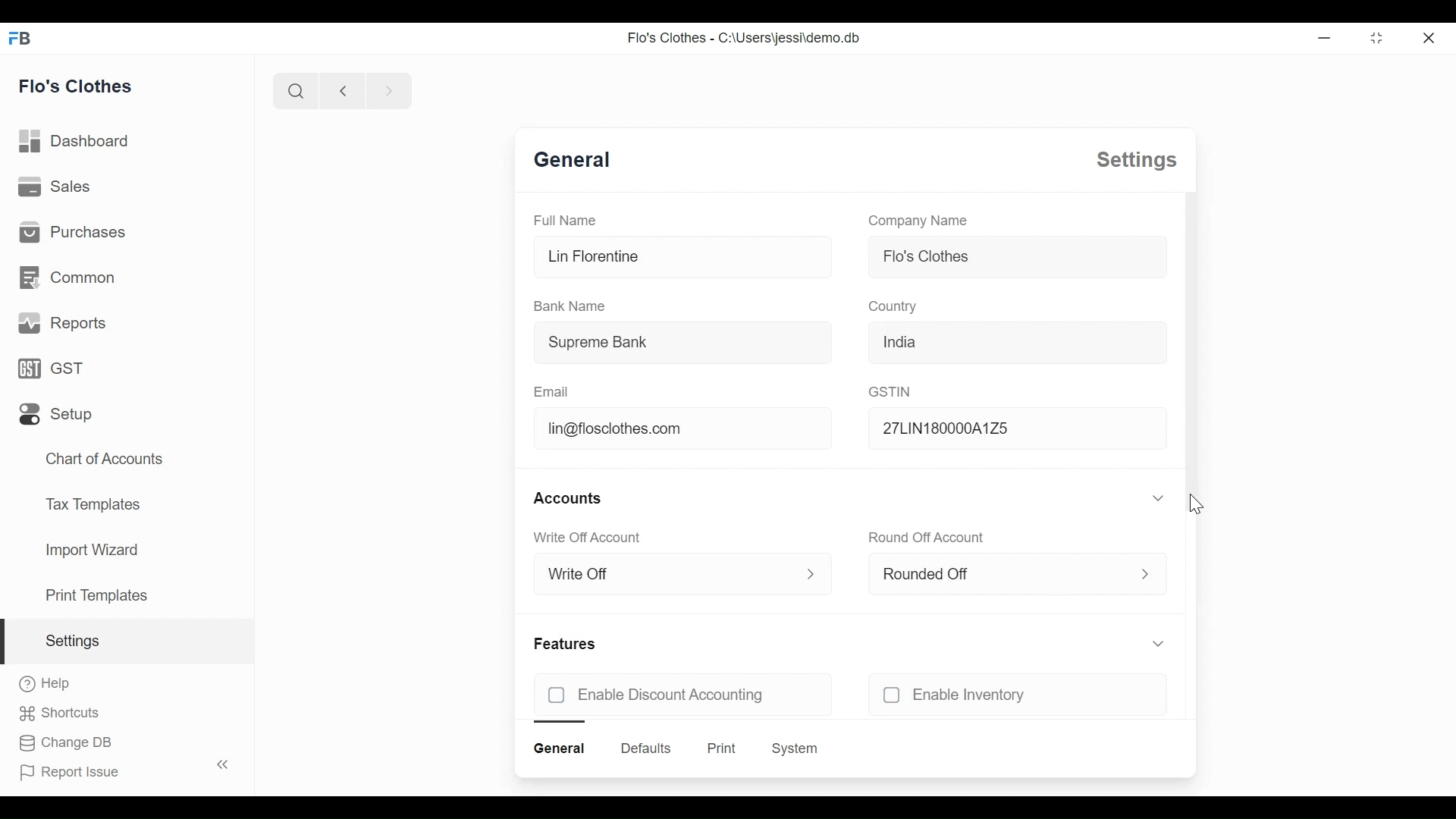 This screenshot has width=1456, height=819. I want to click on Frappe Books Desktop icon, so click(24, 37).